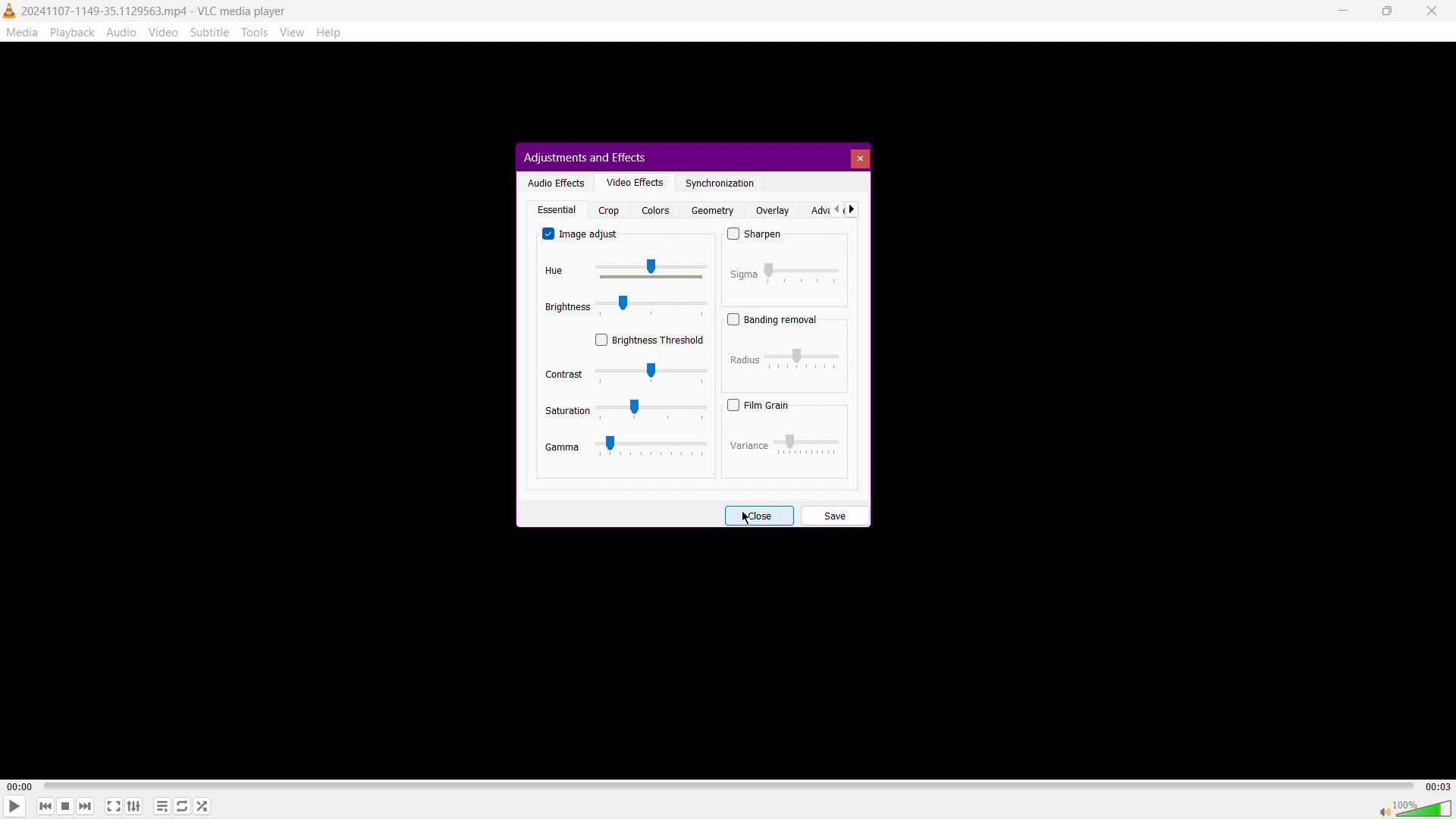  I want to click on Colors, so click(654, 210).